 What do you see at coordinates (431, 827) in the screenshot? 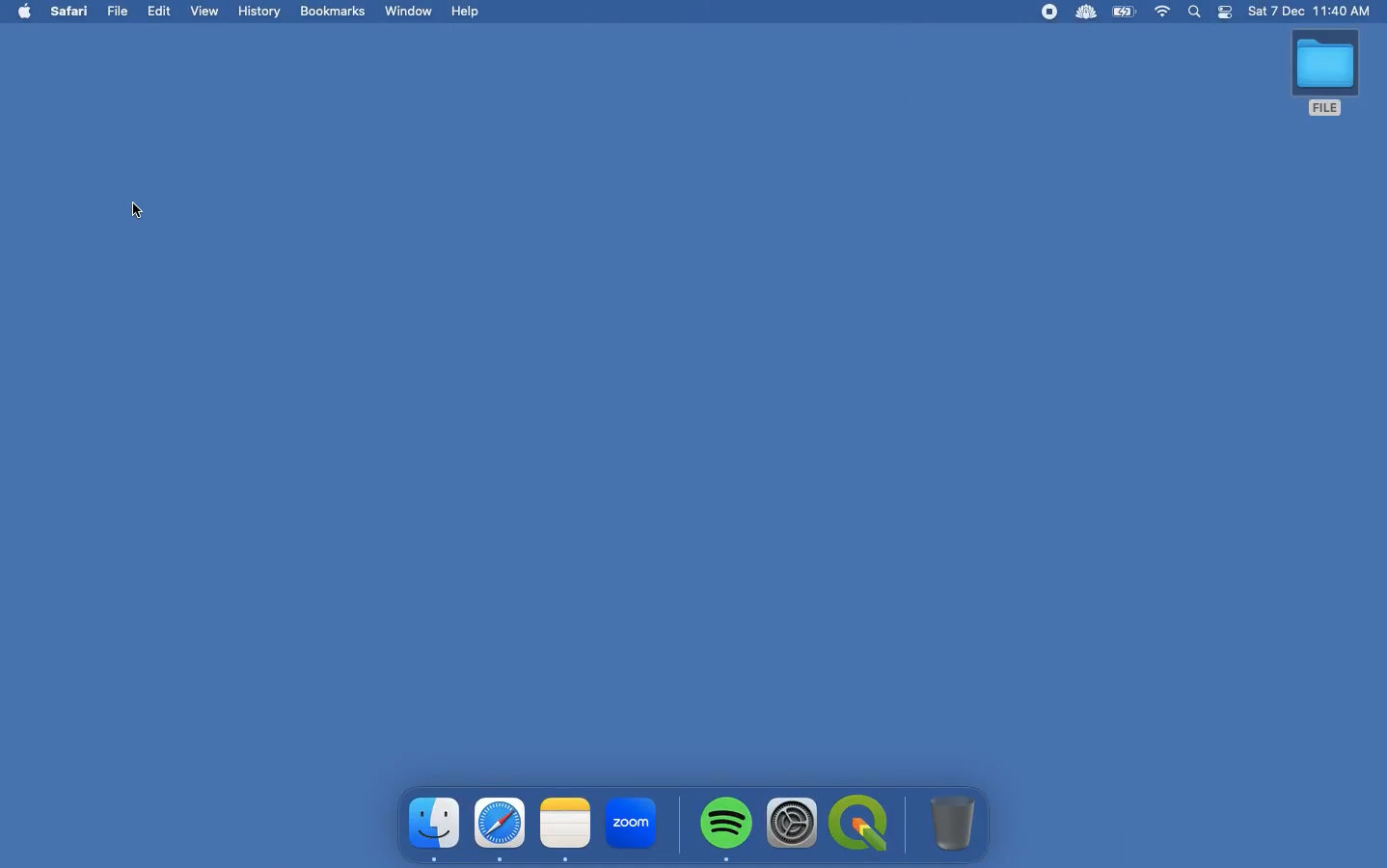
I see `finder` at bounding box center [431, 827].